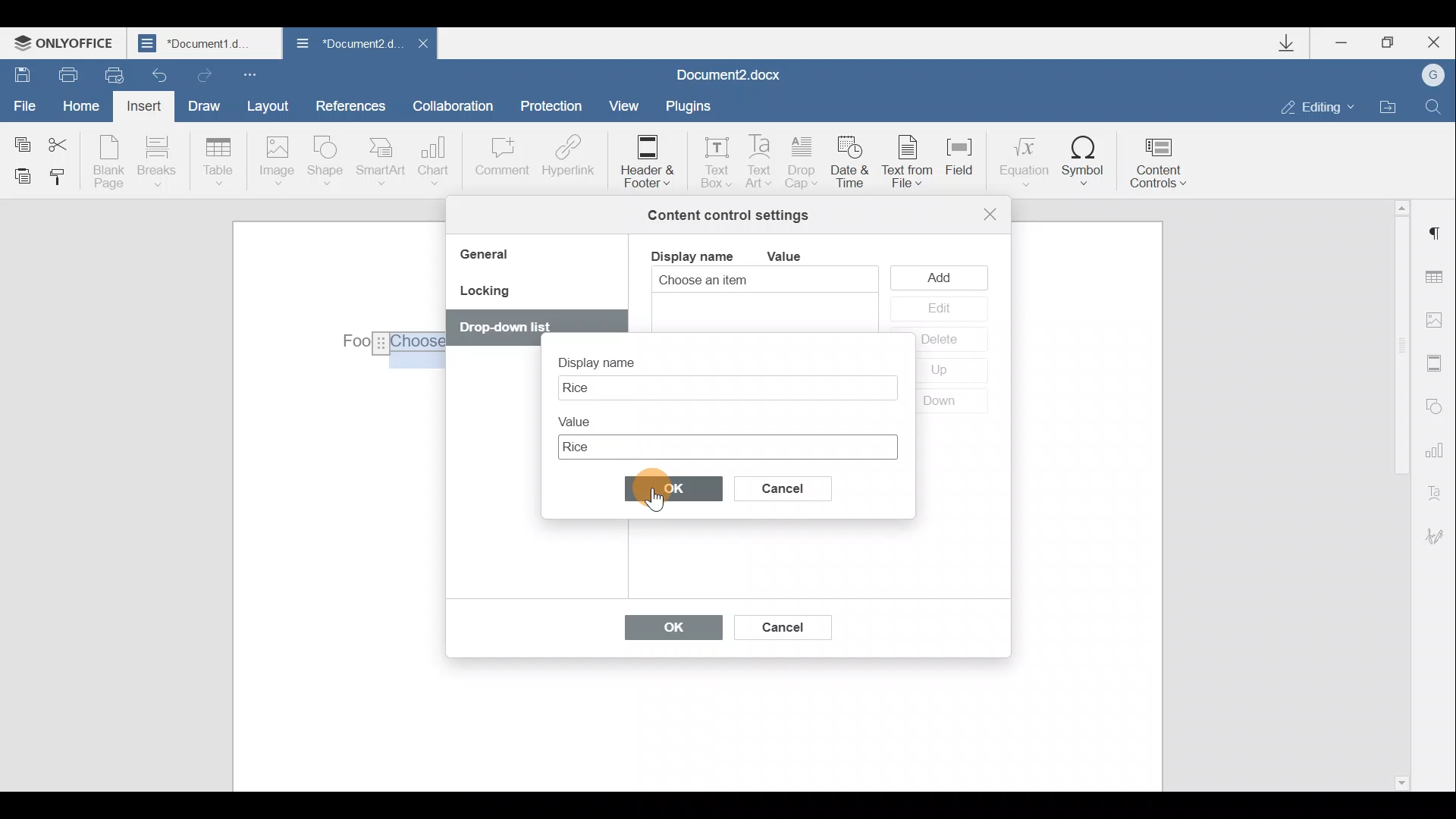 The height and width of the screenshot is (819, 1456). What do you see at coordinates (490, 256) in the screenshot?
I see `General` at bounding box center [490, 256].